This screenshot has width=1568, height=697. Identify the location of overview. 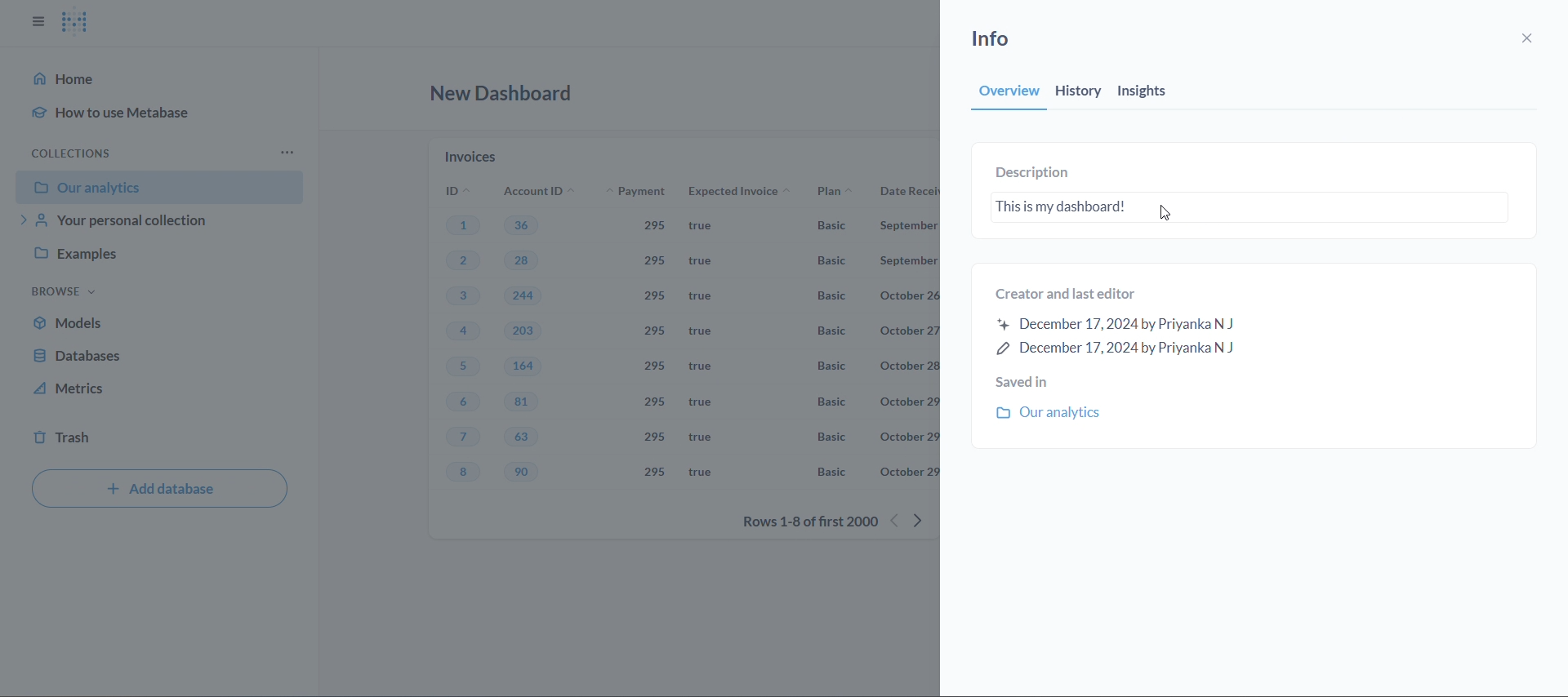
(996, 94).